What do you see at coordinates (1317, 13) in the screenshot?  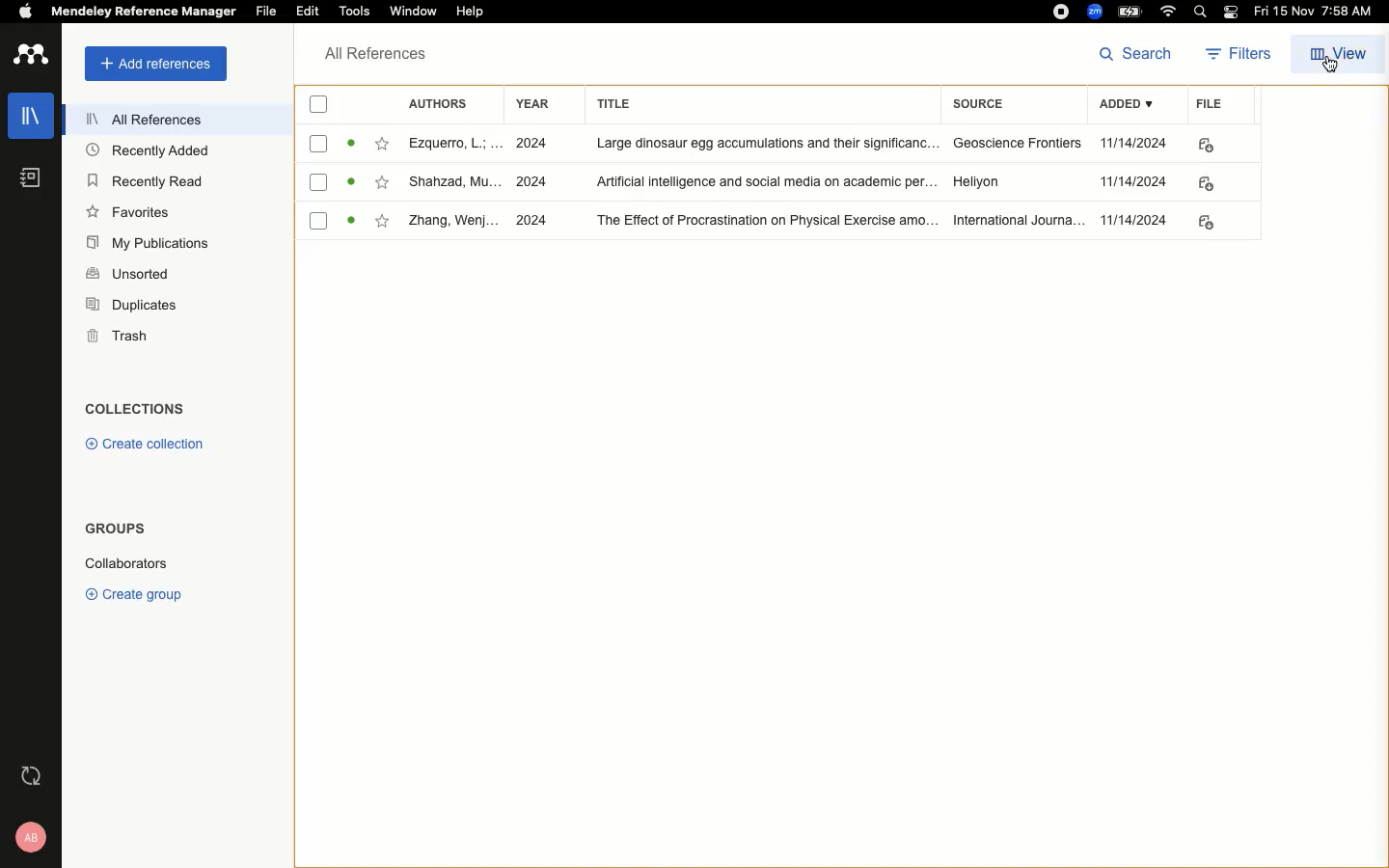 I see `Fri 15 Nov 7:58 AM` at bounding box center [1317, 13].